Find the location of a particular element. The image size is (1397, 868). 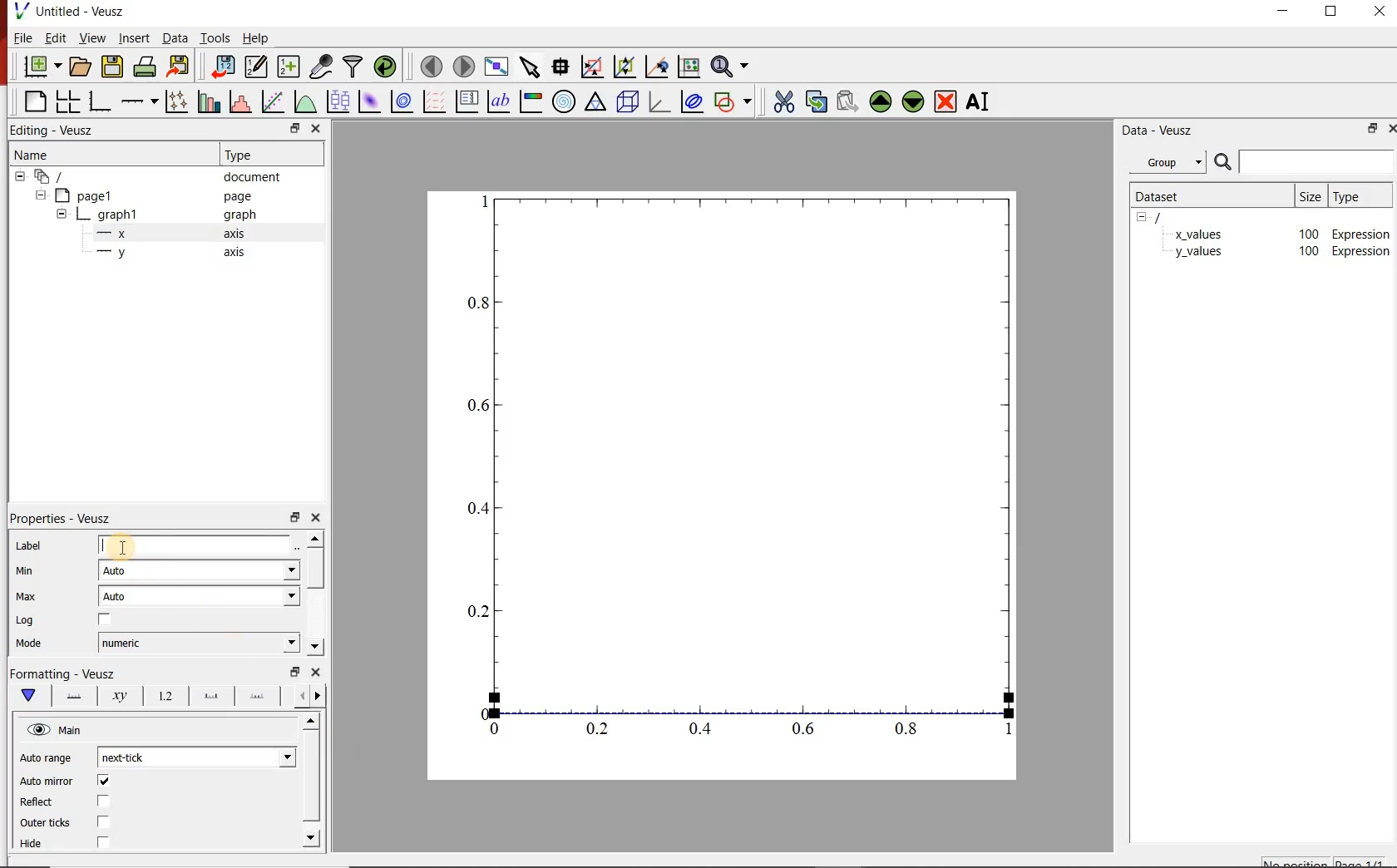

restore down is located at coordinates (1369, 128).